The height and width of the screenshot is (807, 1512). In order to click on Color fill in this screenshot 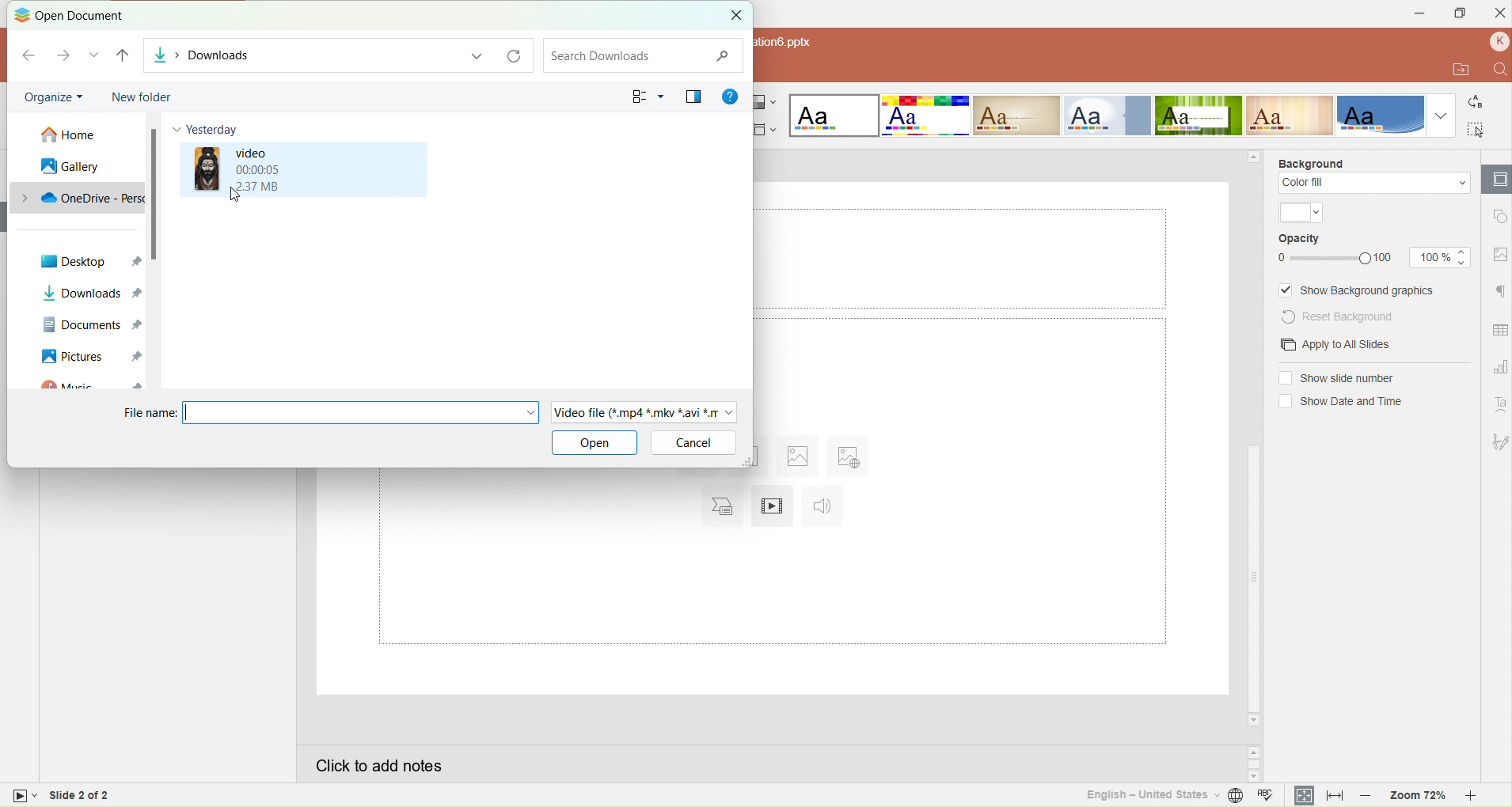, I will do `click(1376, 184)`.